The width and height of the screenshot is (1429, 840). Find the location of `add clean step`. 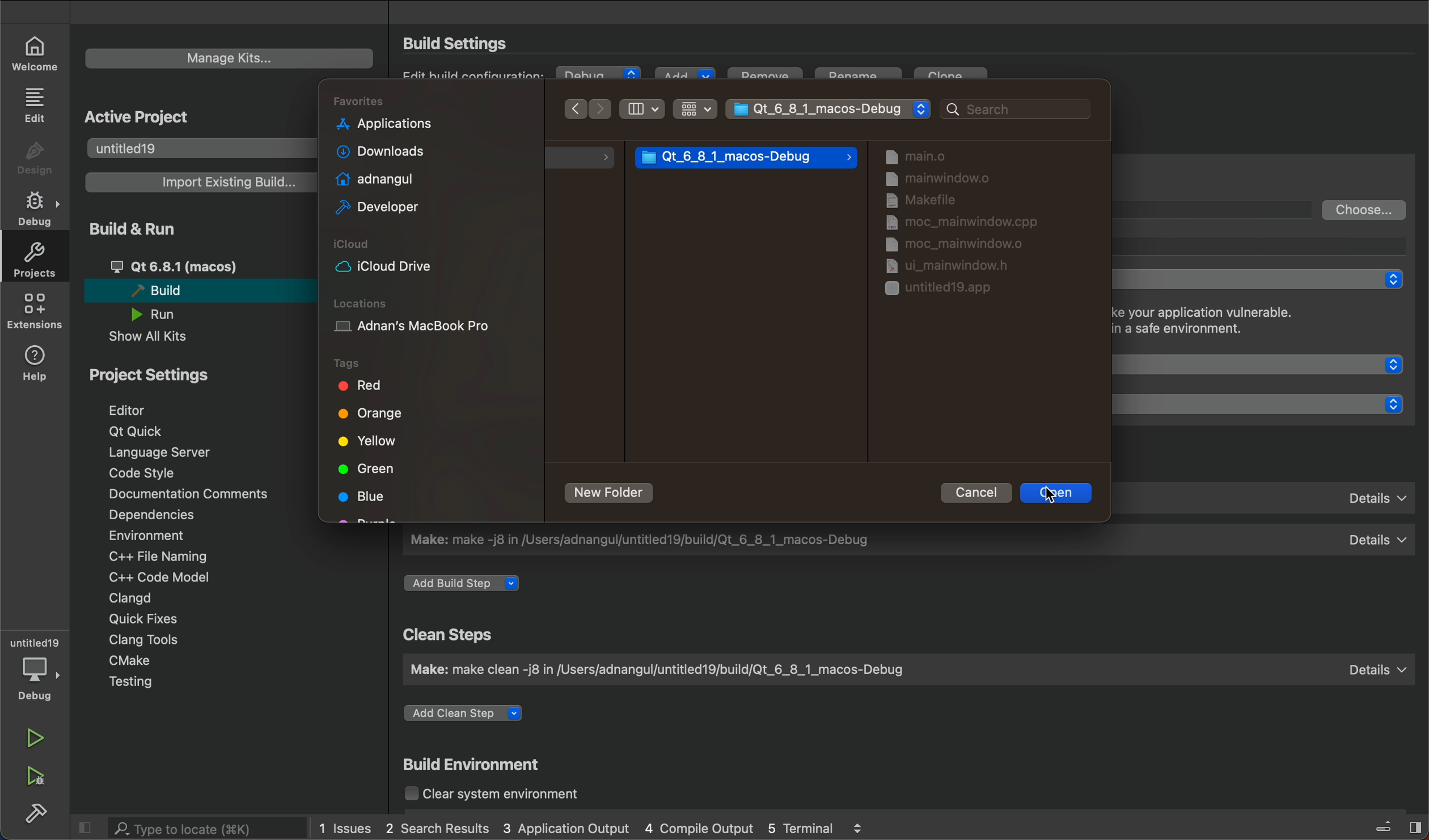

add clean step is located at coordinates (472, 716).